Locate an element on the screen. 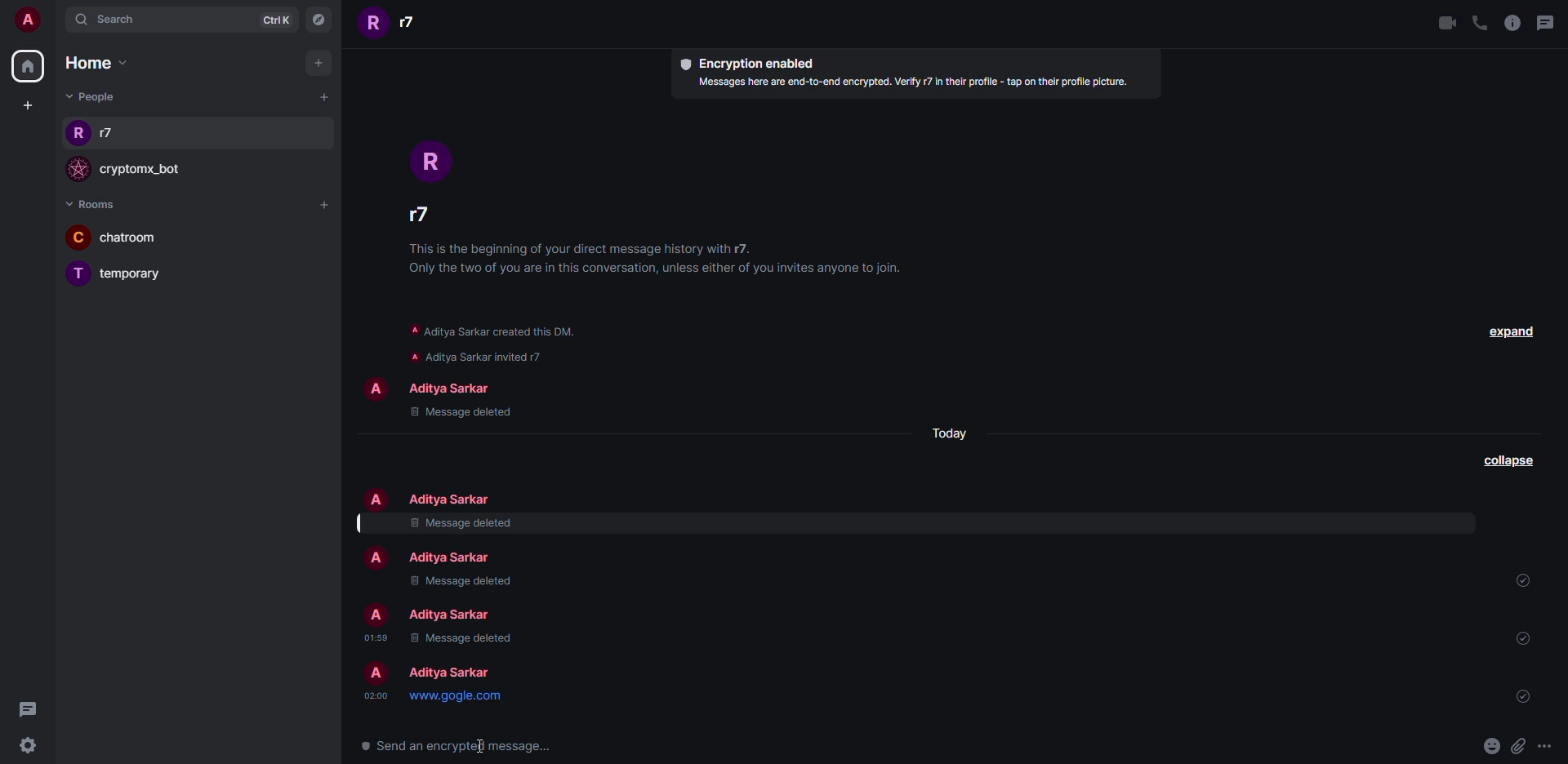 The image size is (1568, 764). profile is located at coordinates (380, 500).